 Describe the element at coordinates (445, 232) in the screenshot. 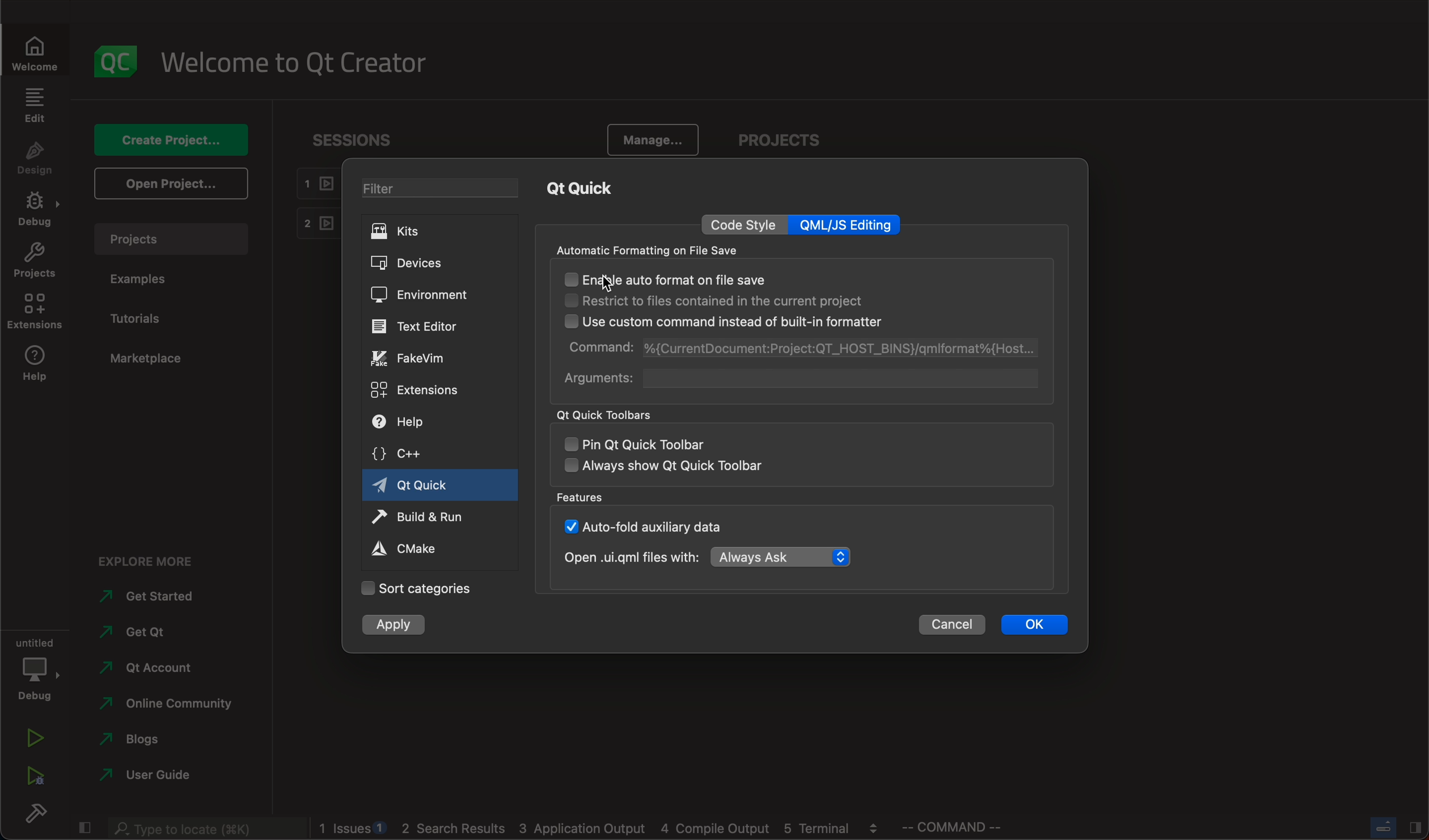

I see `kits` at that location.